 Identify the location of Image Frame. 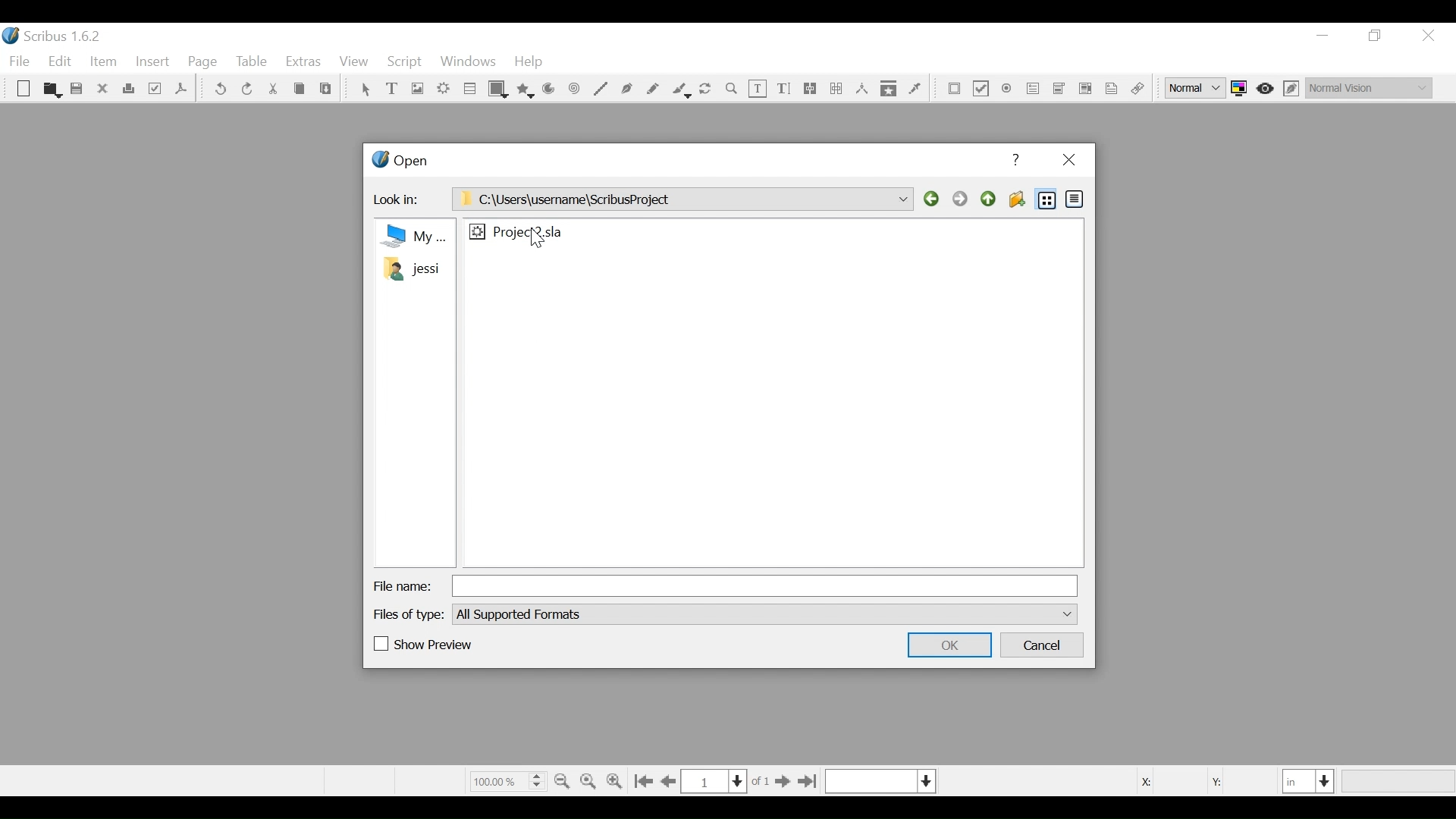
(416, 89).